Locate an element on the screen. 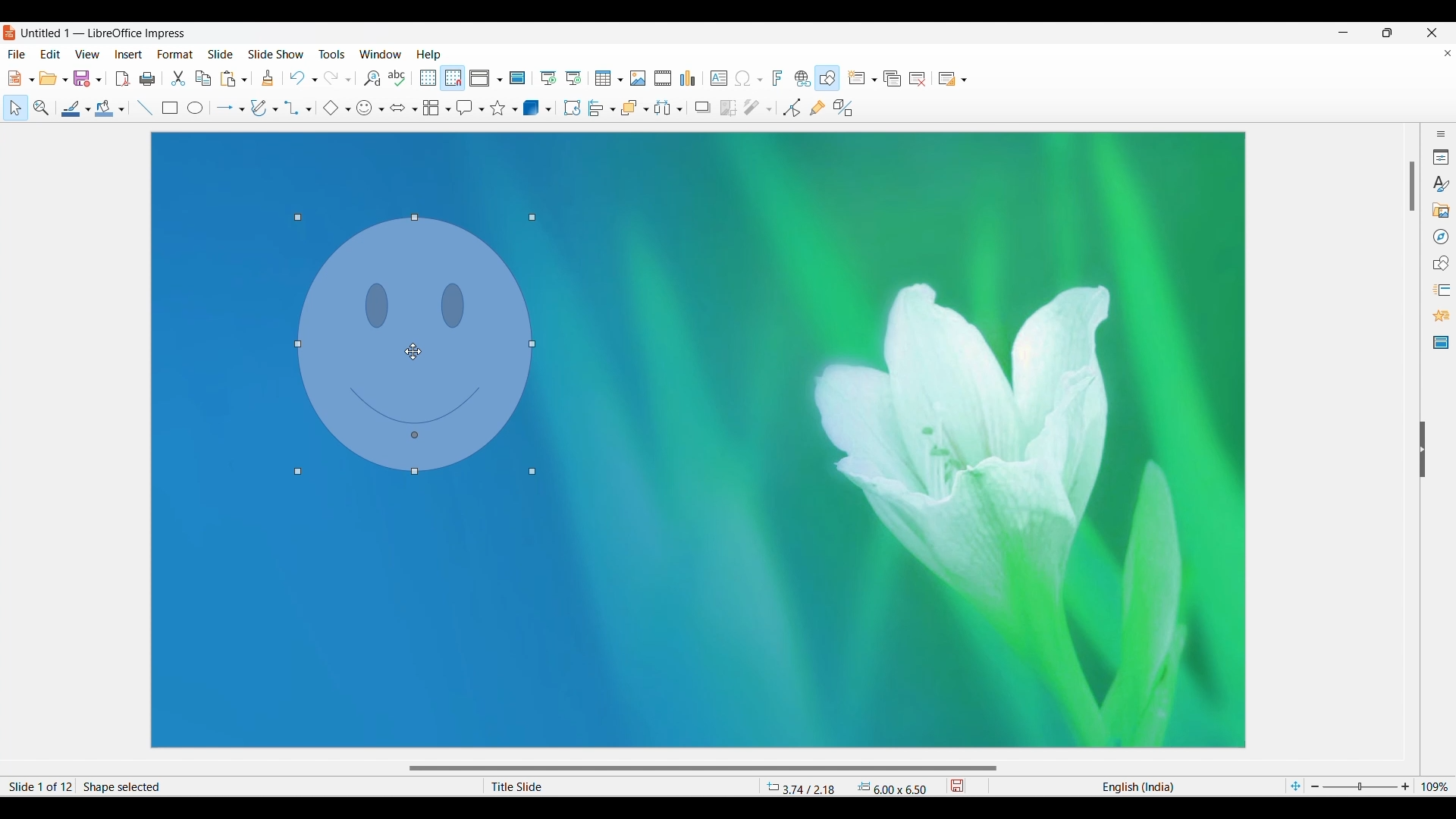  Slide layout options is located at coordinates (964, 80).